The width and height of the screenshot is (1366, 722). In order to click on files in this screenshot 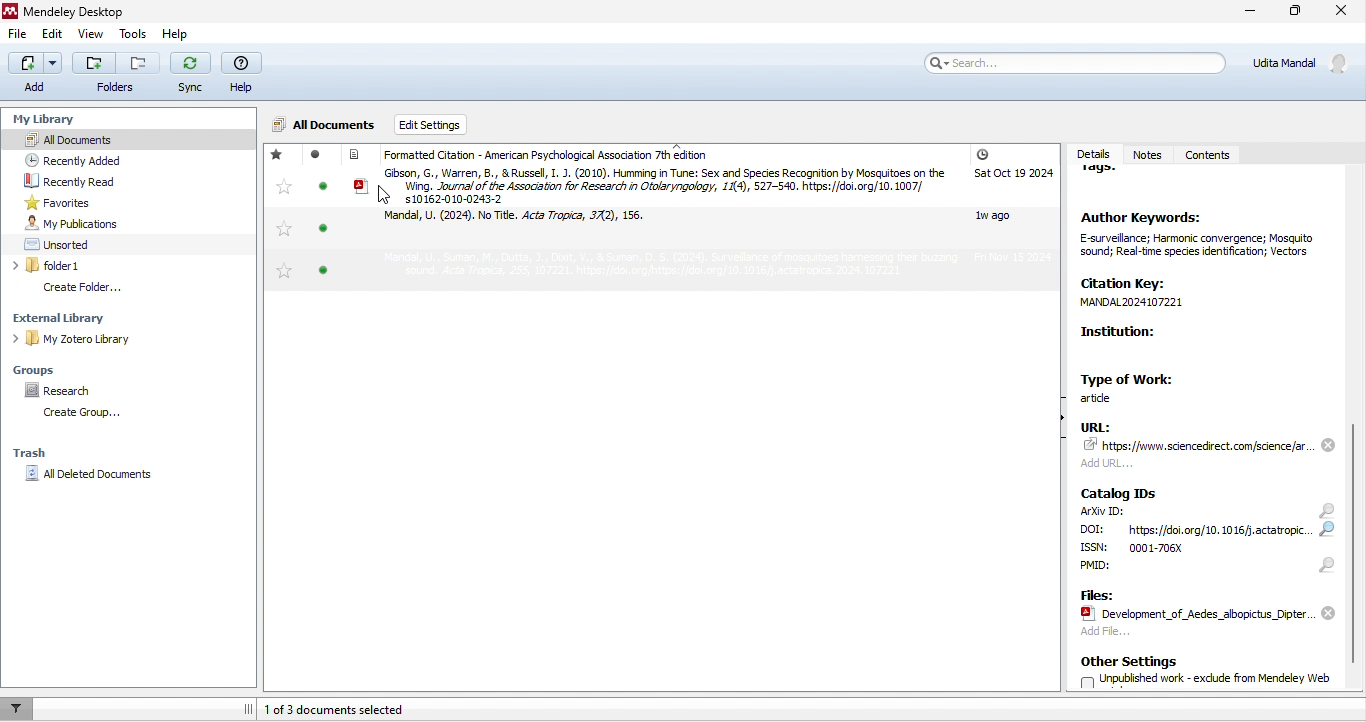, I will do `click(1104, 594)`.